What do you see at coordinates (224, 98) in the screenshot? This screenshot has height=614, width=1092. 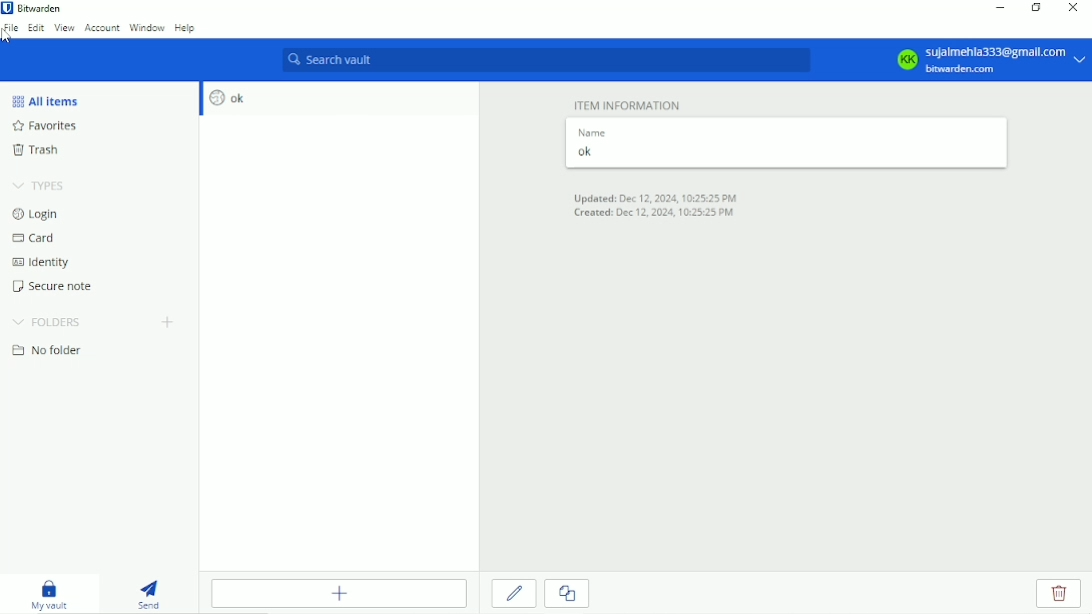 I see `ok` at bounding box center [224, 98].